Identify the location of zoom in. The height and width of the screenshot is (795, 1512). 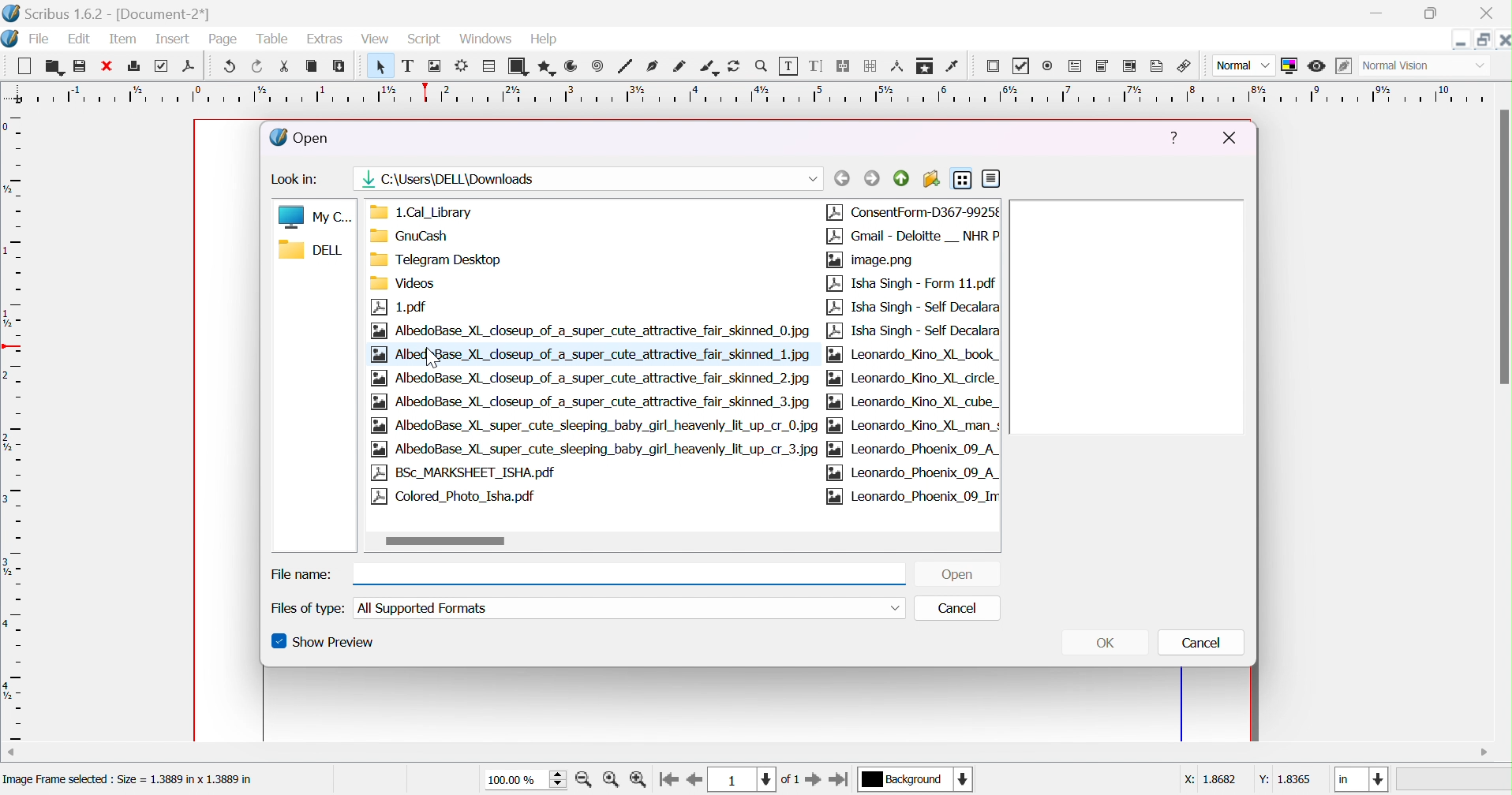
(584, 780).